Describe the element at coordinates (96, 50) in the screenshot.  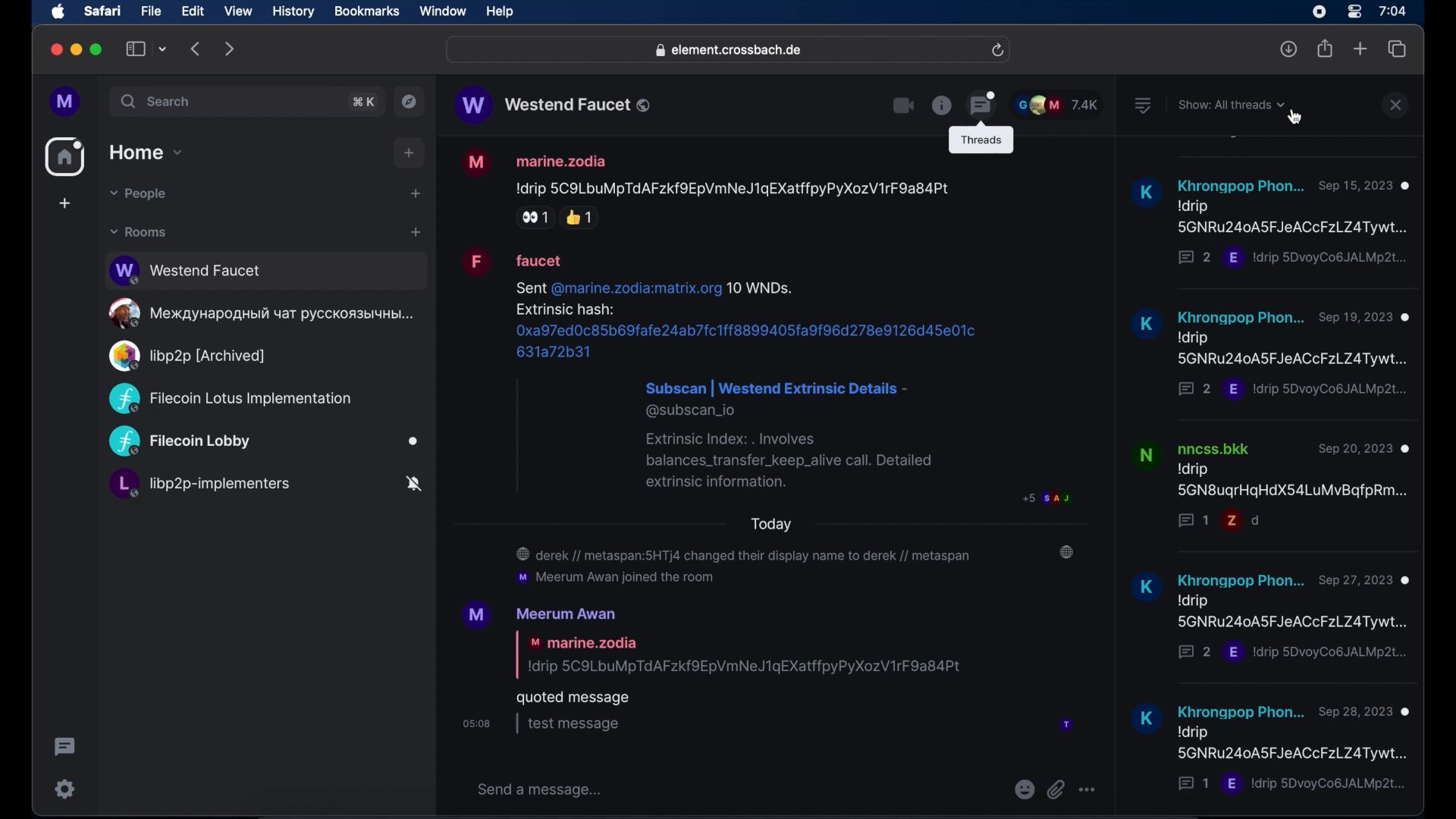
I see `maximize` at that location.